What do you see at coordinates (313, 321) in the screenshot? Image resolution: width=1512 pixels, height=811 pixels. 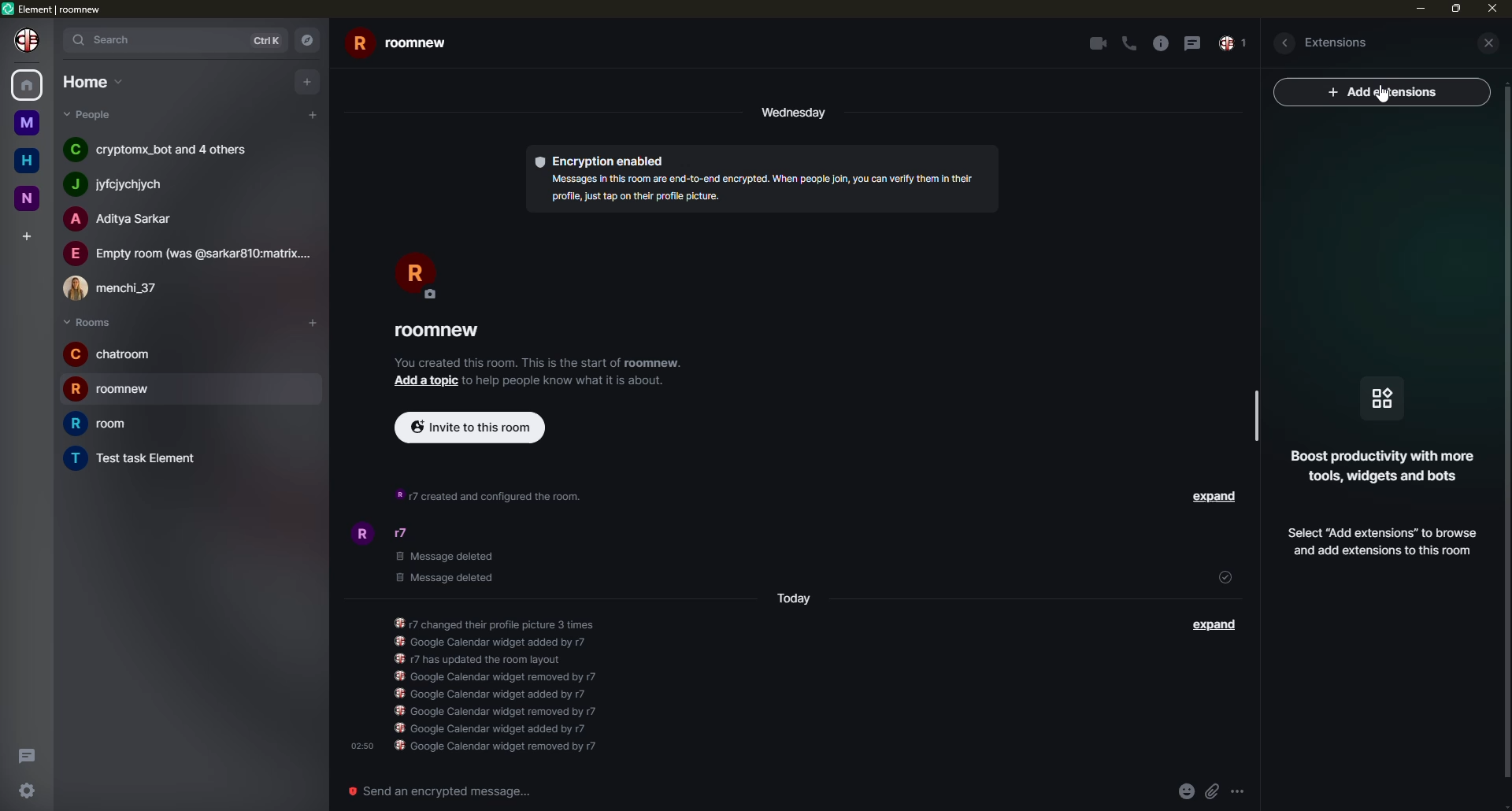 I see `add` at bounding box center [313, 321].